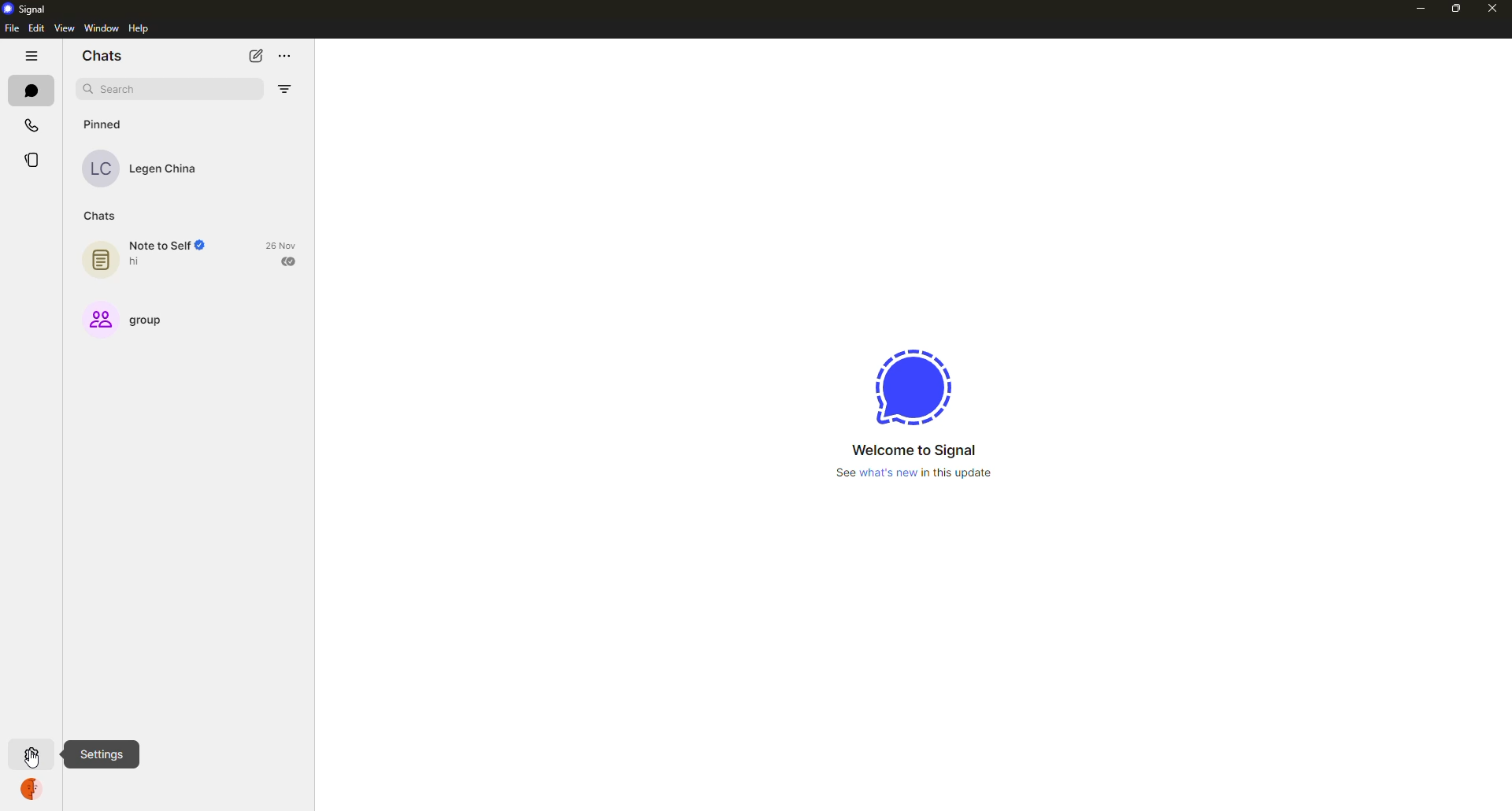  Describe the element at coordinates (99, 257) in the screenshot. I see `Note icon` at that location.